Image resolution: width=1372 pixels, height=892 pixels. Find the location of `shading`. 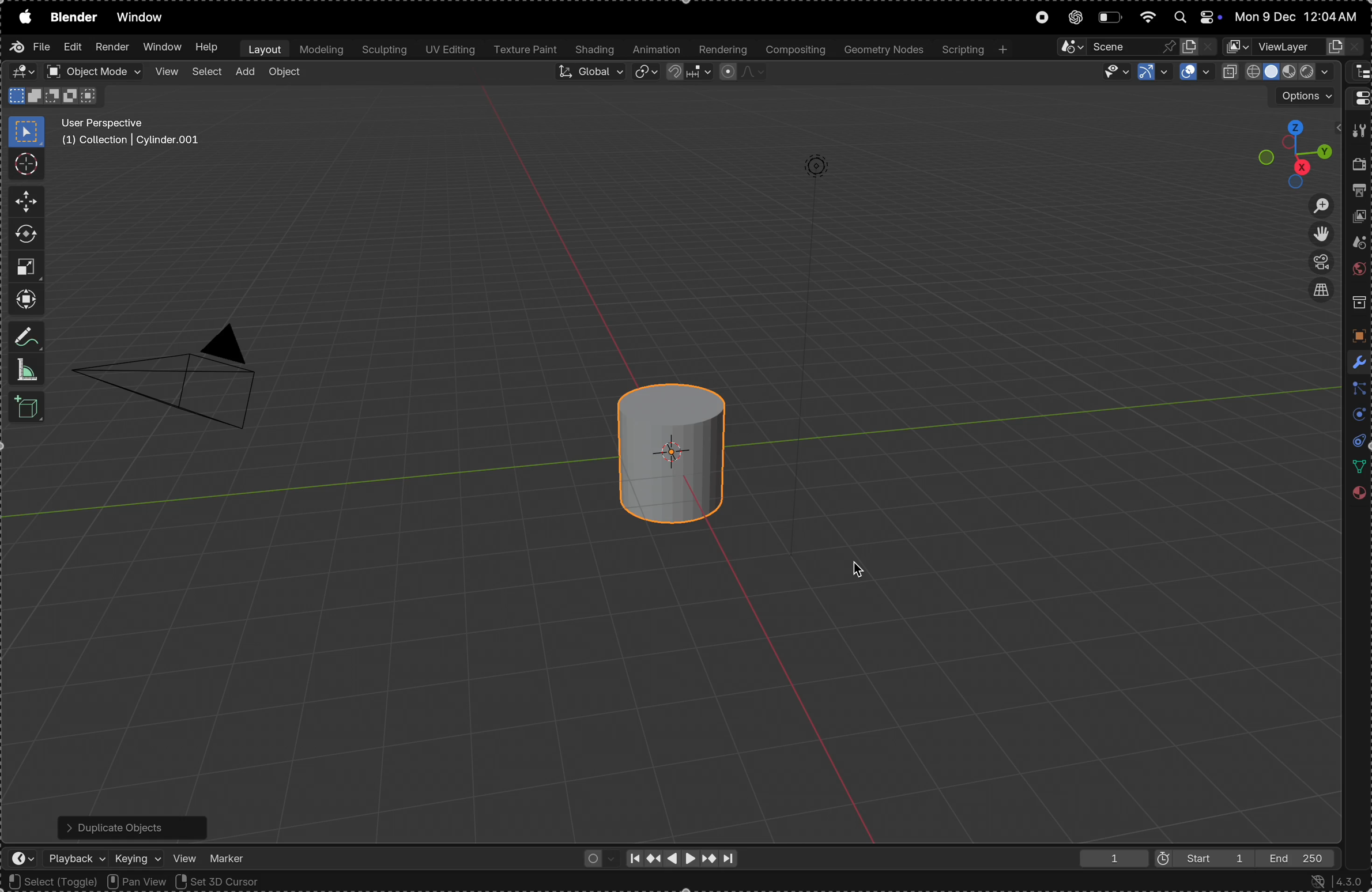

shading is located at coordinates (595, 50).